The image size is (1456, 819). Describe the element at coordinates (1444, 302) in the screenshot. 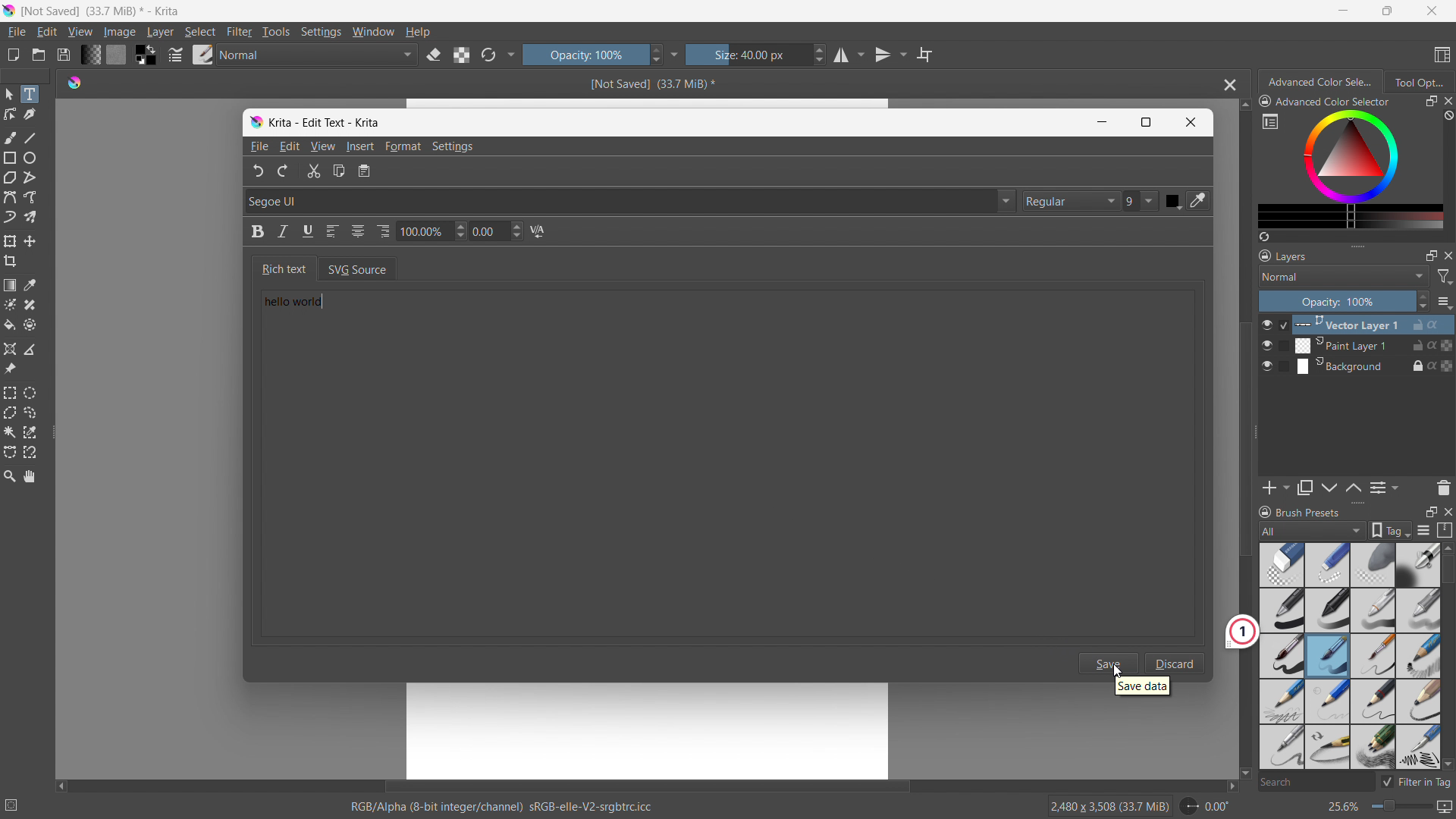

I see `options` at that location.